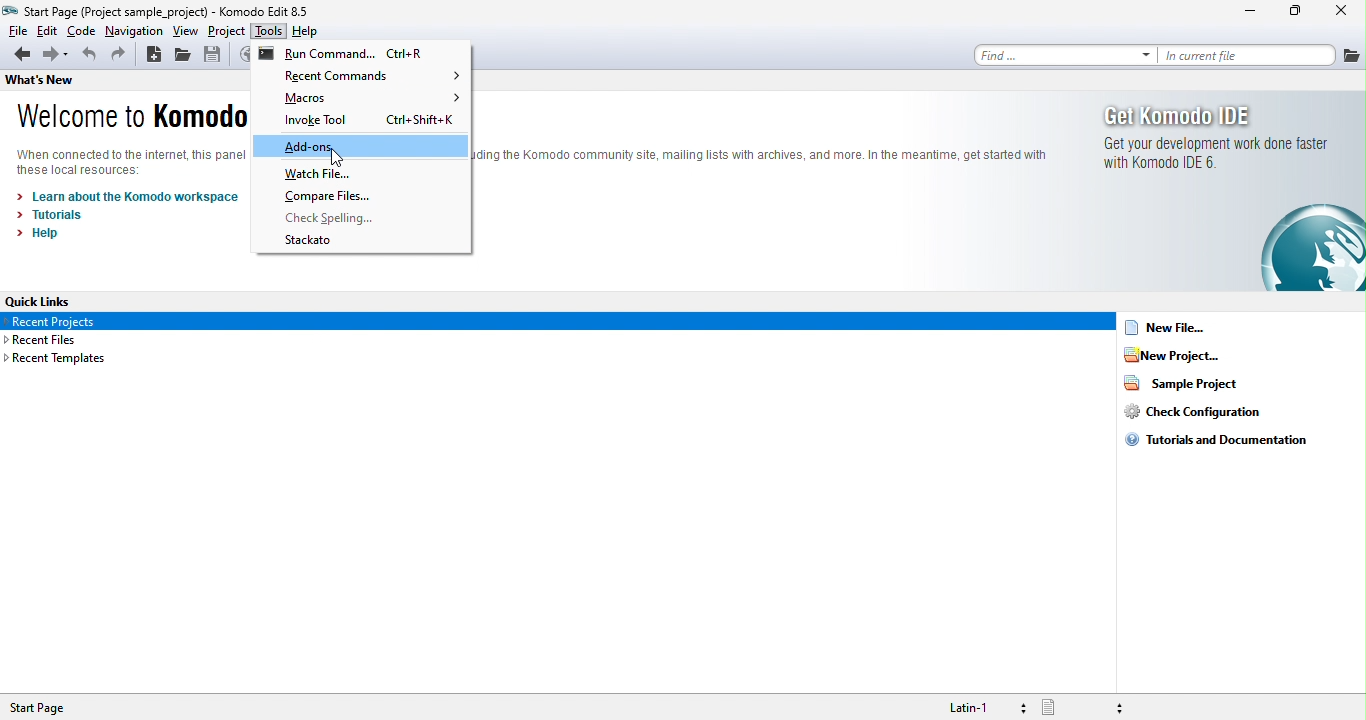  I want to click on file, so click(15, 30).